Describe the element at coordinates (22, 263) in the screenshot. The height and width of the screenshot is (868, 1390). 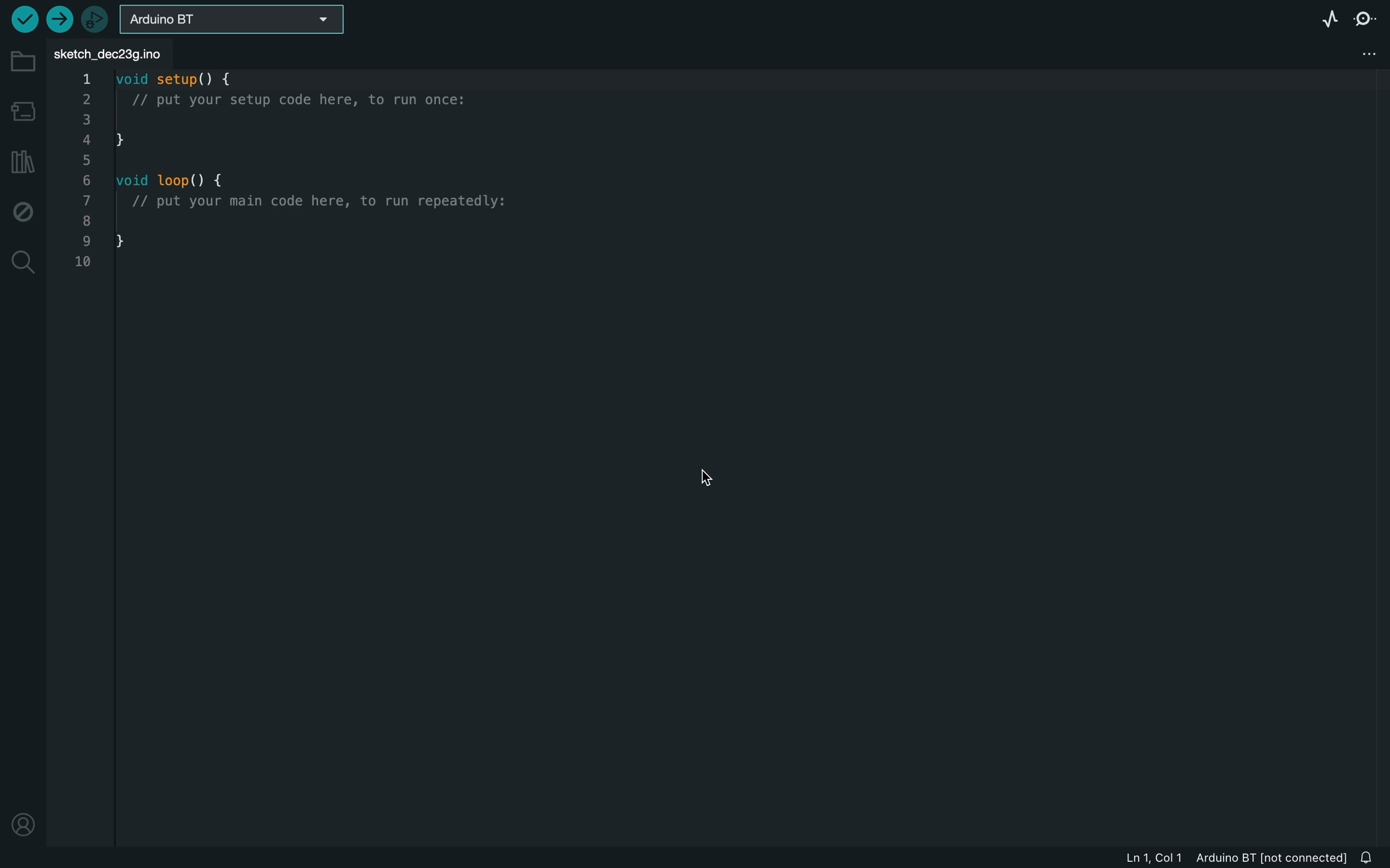
I see `search` at that location.